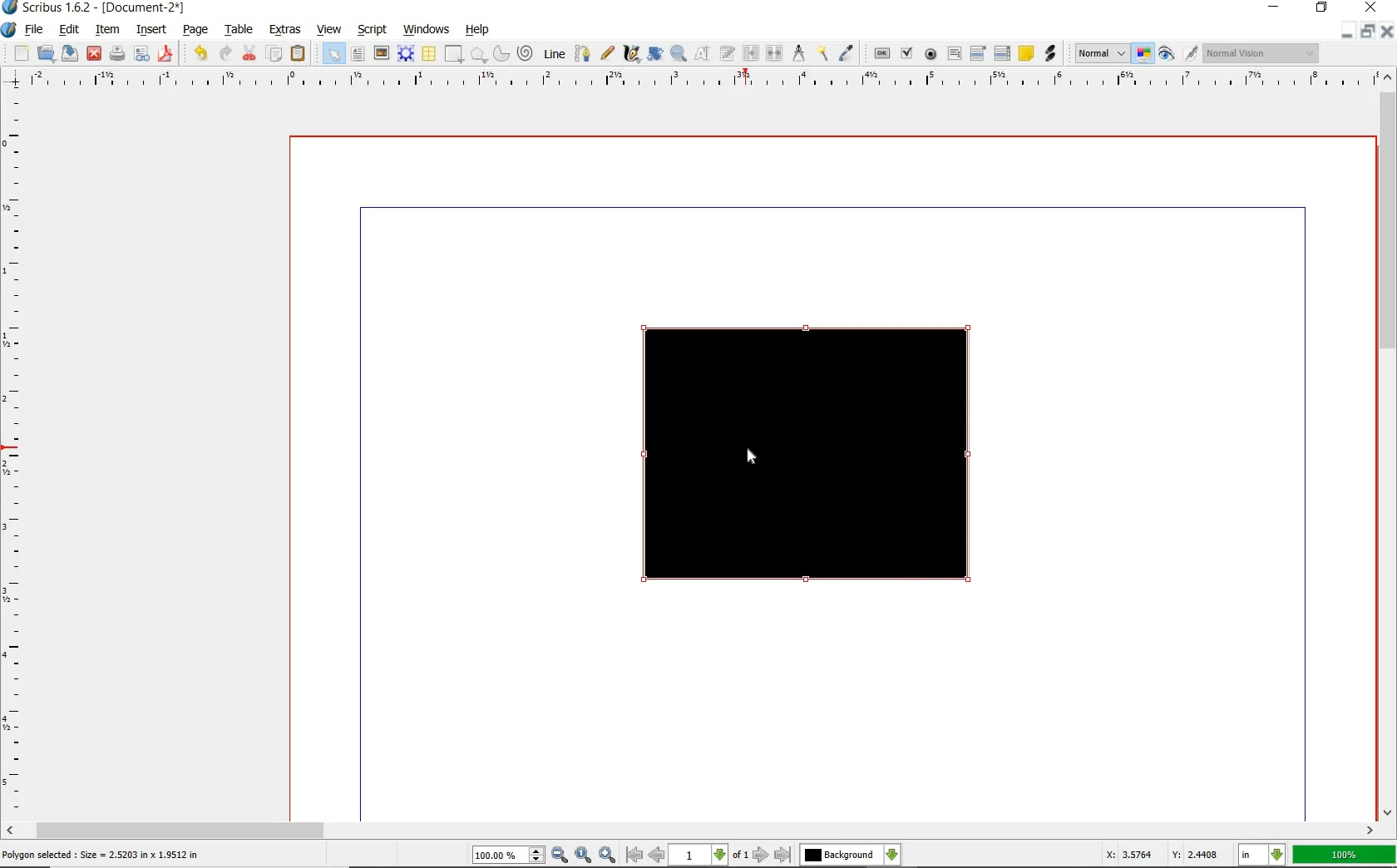 The image size is (1397, 868). I want to click on zoom to, so click(583, 855).